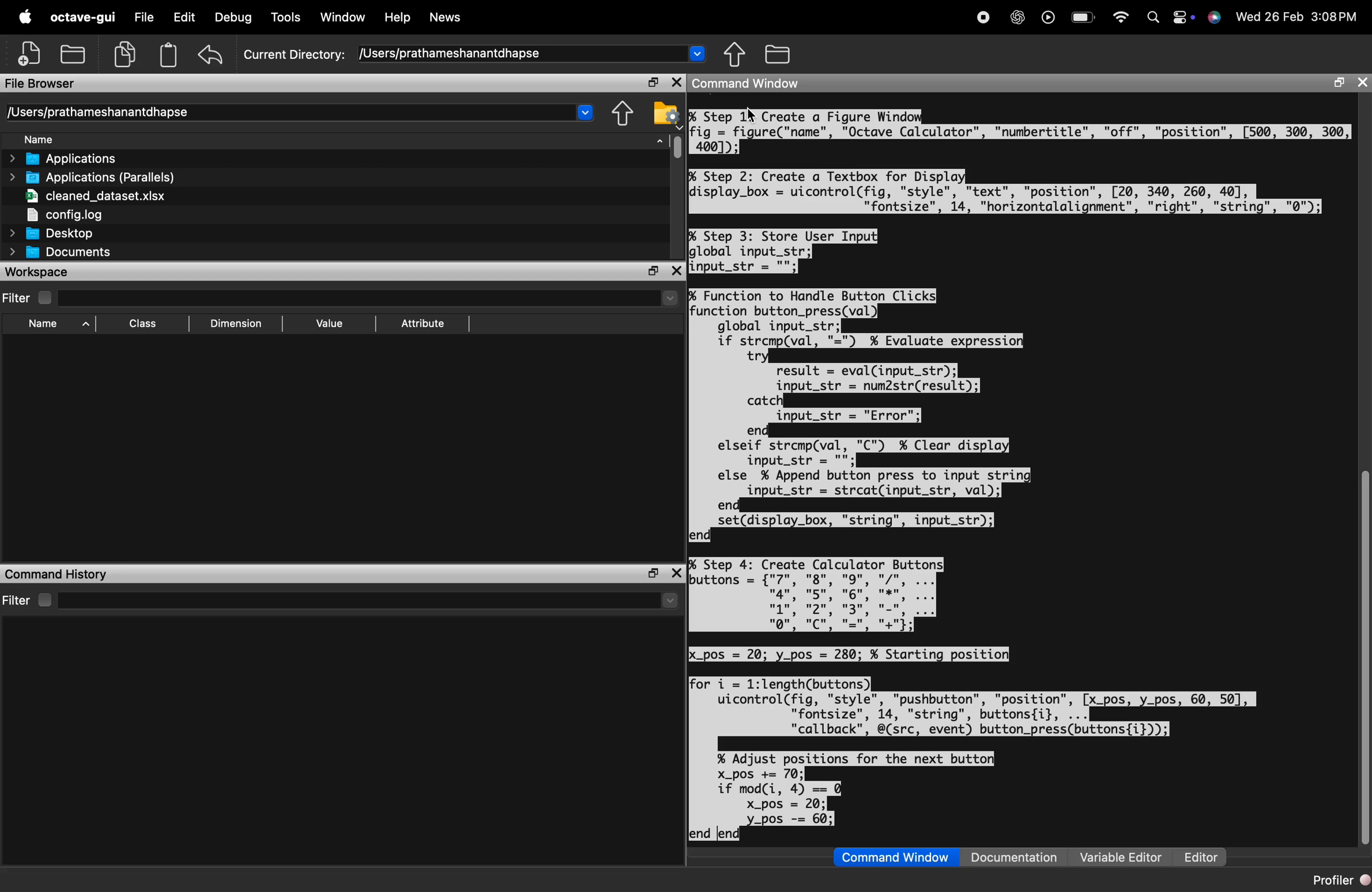 Image resolution: width=1372 pixels, height=892 pixels. Describe the element at coordinates (27, 54) in the screenshot. I see `New script` at that location.